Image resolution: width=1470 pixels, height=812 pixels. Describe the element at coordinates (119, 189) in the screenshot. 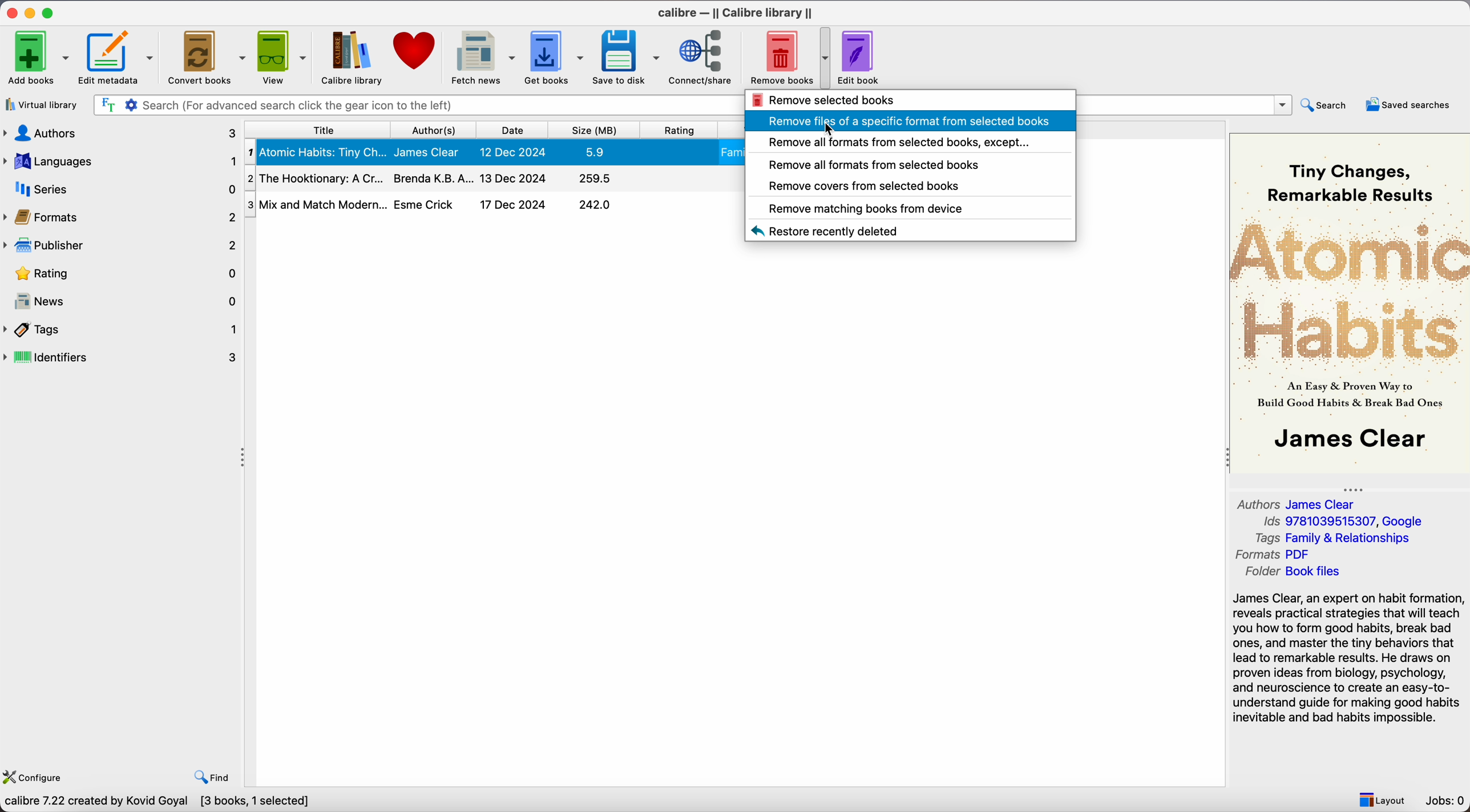

I see `series` at that location.